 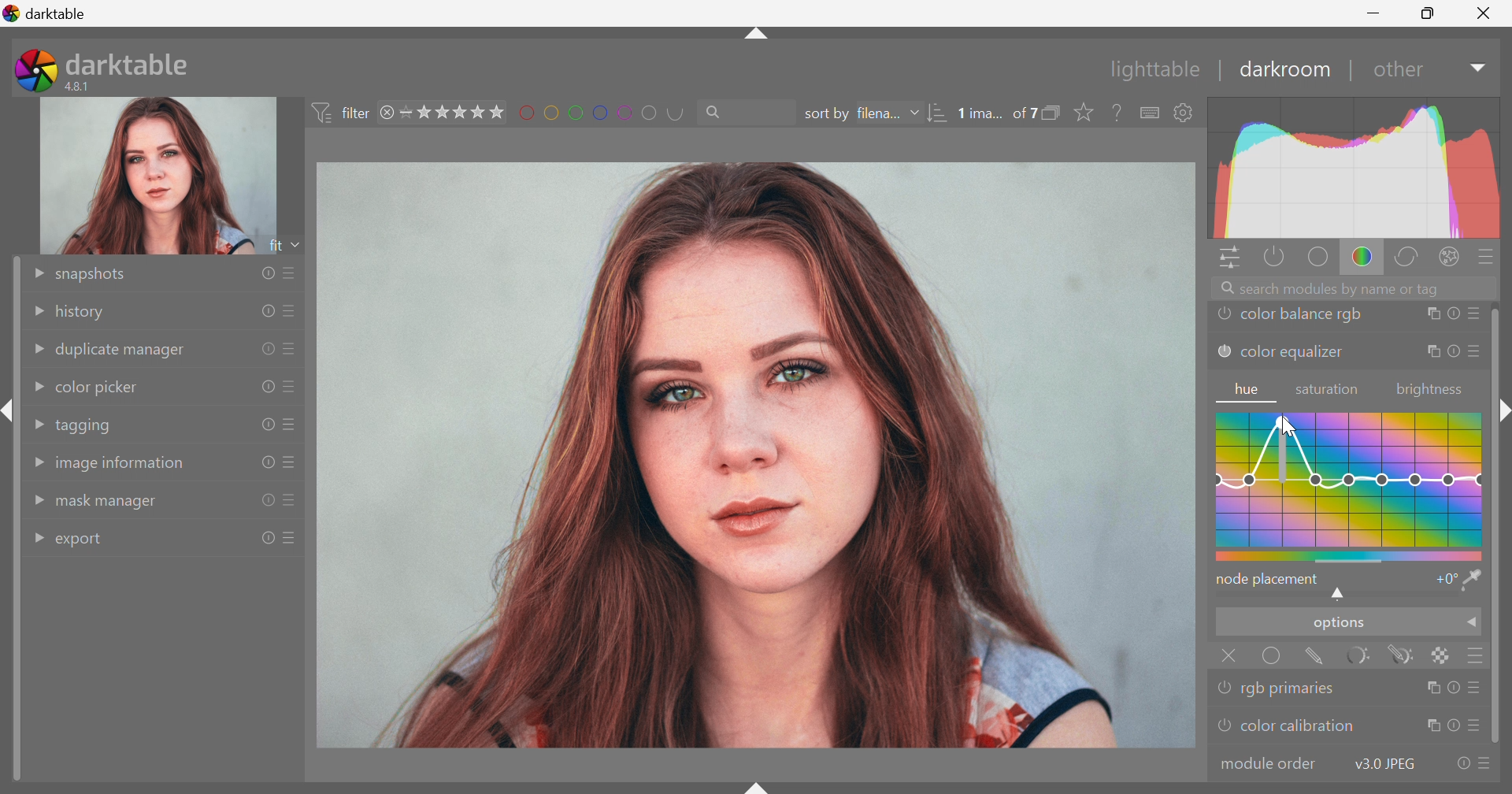 I want to click on filena..., so click(x=880, y=112).